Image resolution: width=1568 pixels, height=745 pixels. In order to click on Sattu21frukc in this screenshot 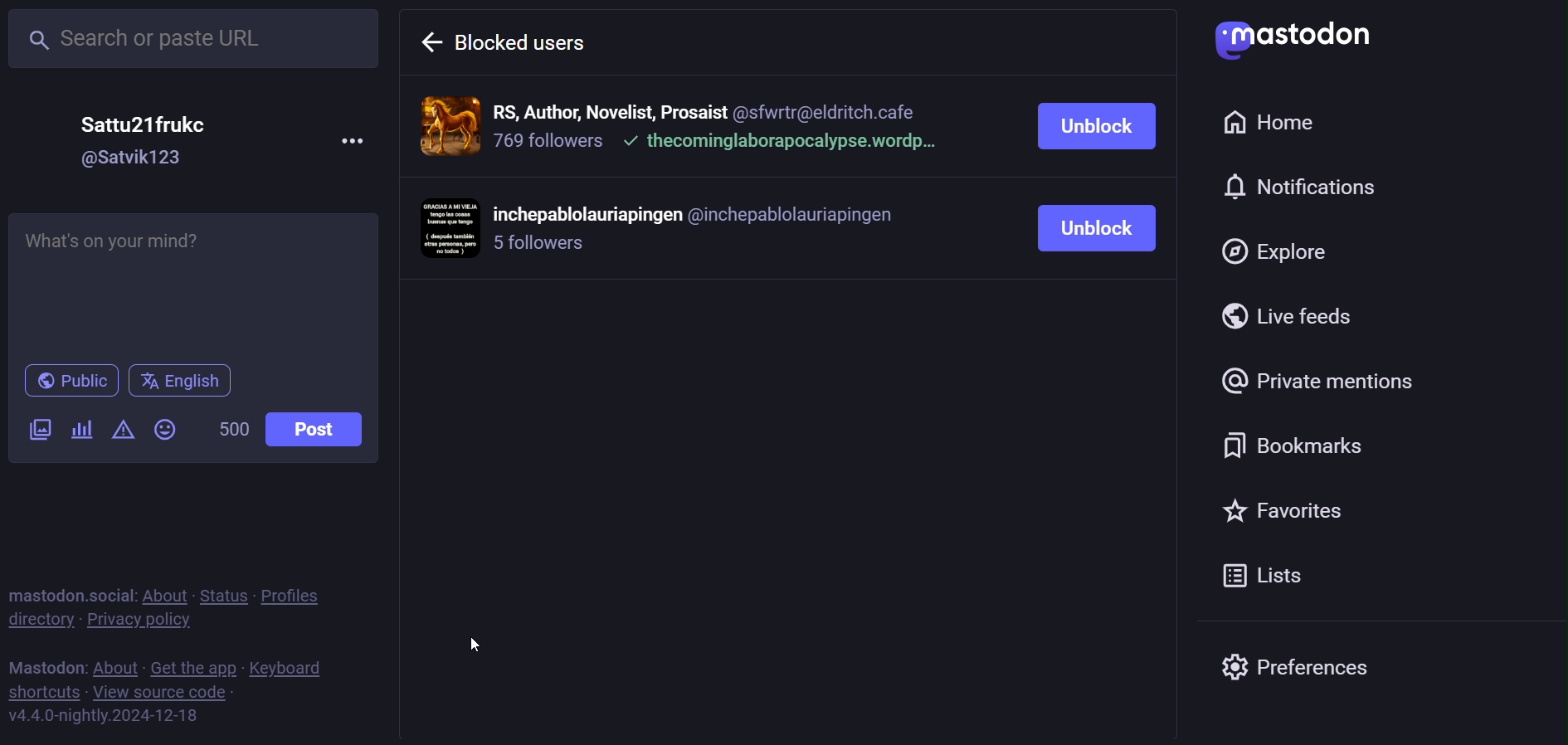, I will do `click(151, 124)`.